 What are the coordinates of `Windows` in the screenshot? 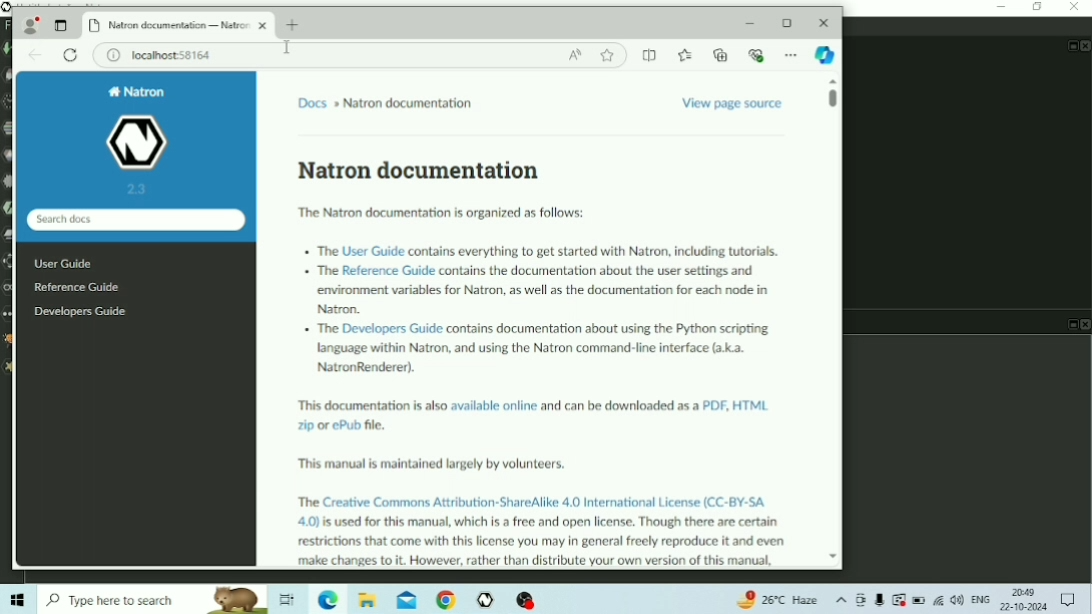 It's located at (20, 600).